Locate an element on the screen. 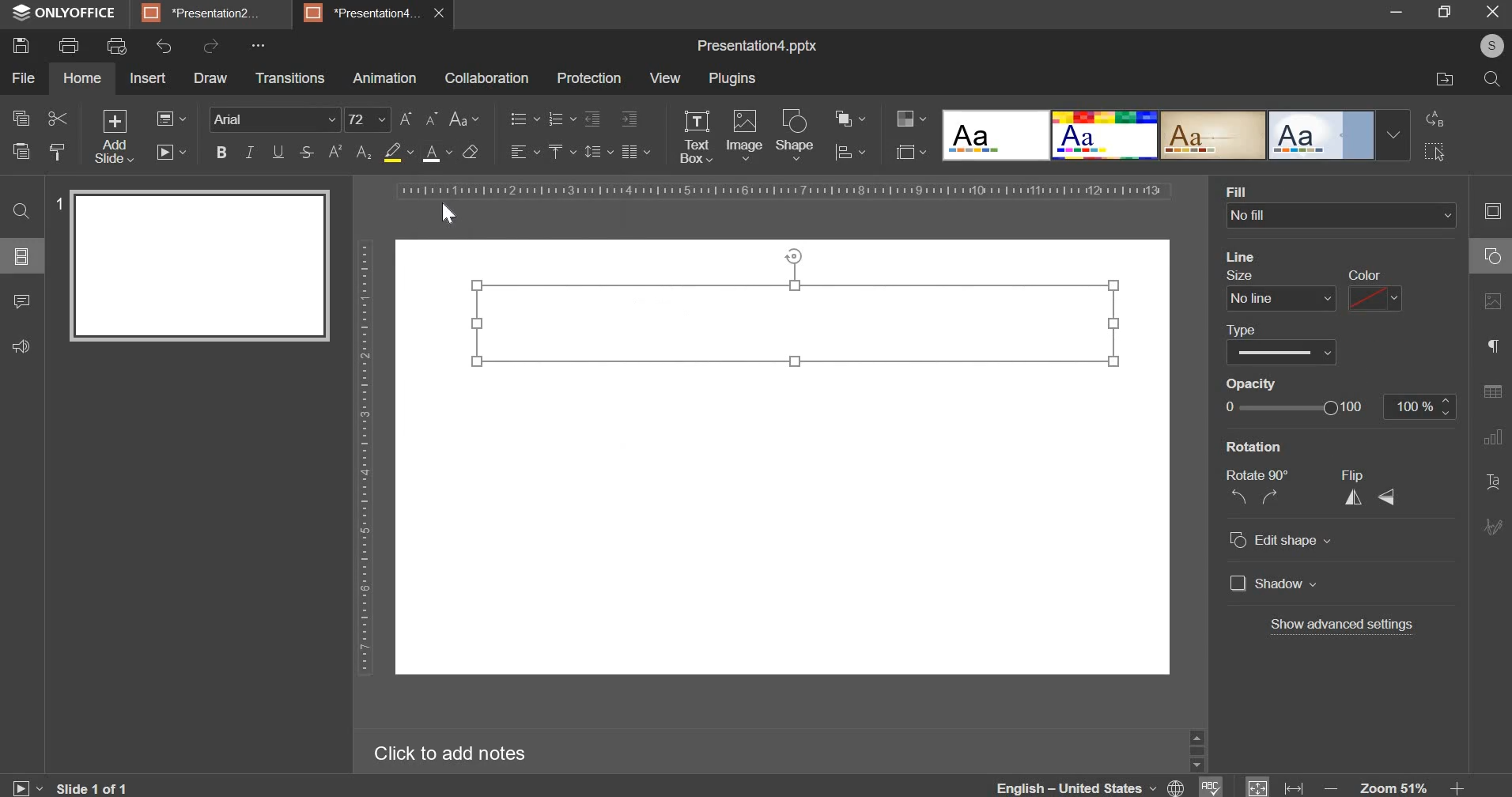  size is located at coordinates (1277, 291).